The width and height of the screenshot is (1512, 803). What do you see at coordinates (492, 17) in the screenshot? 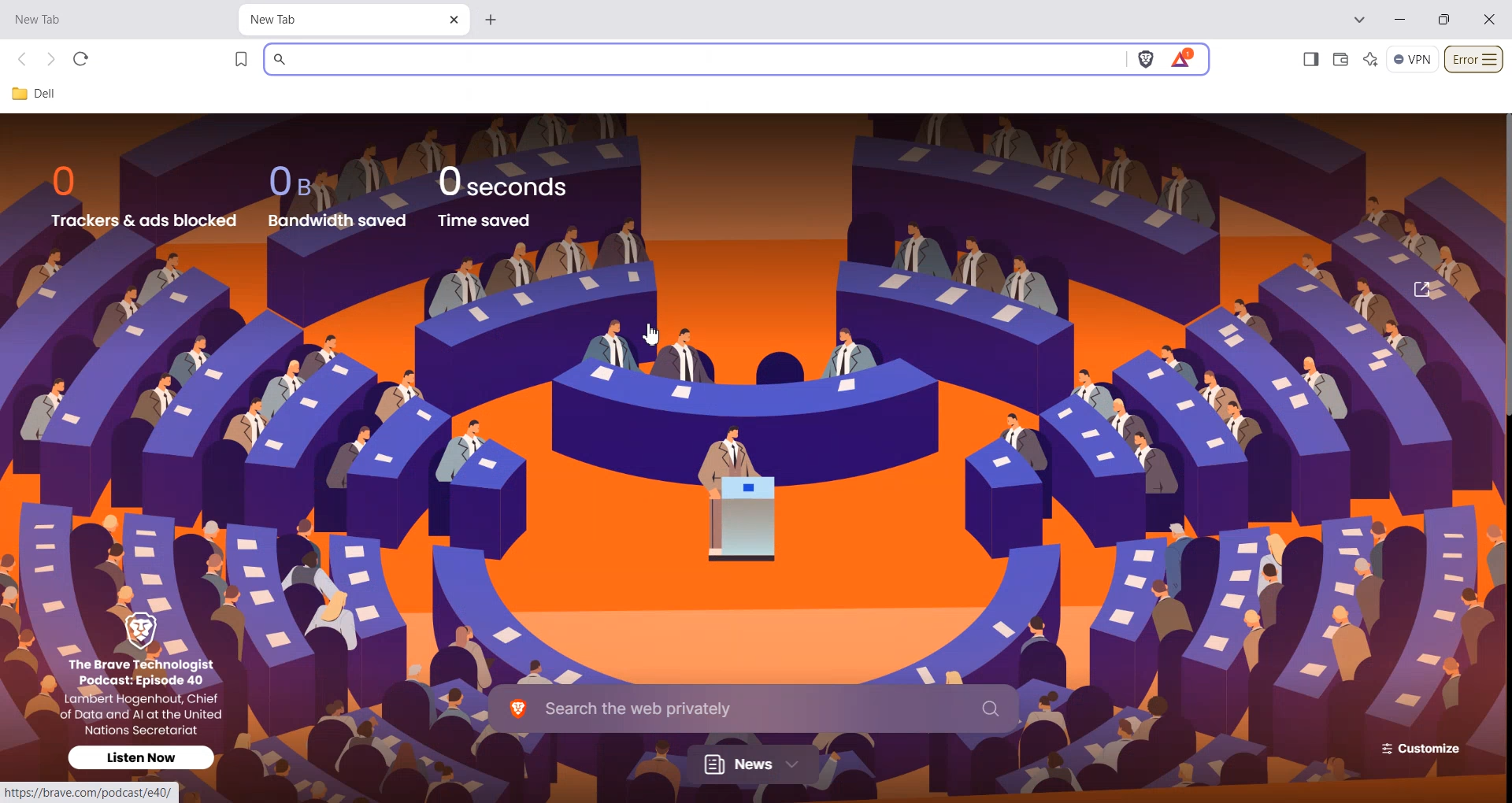
I see `Add new tab` at bounding box center [492, 17].